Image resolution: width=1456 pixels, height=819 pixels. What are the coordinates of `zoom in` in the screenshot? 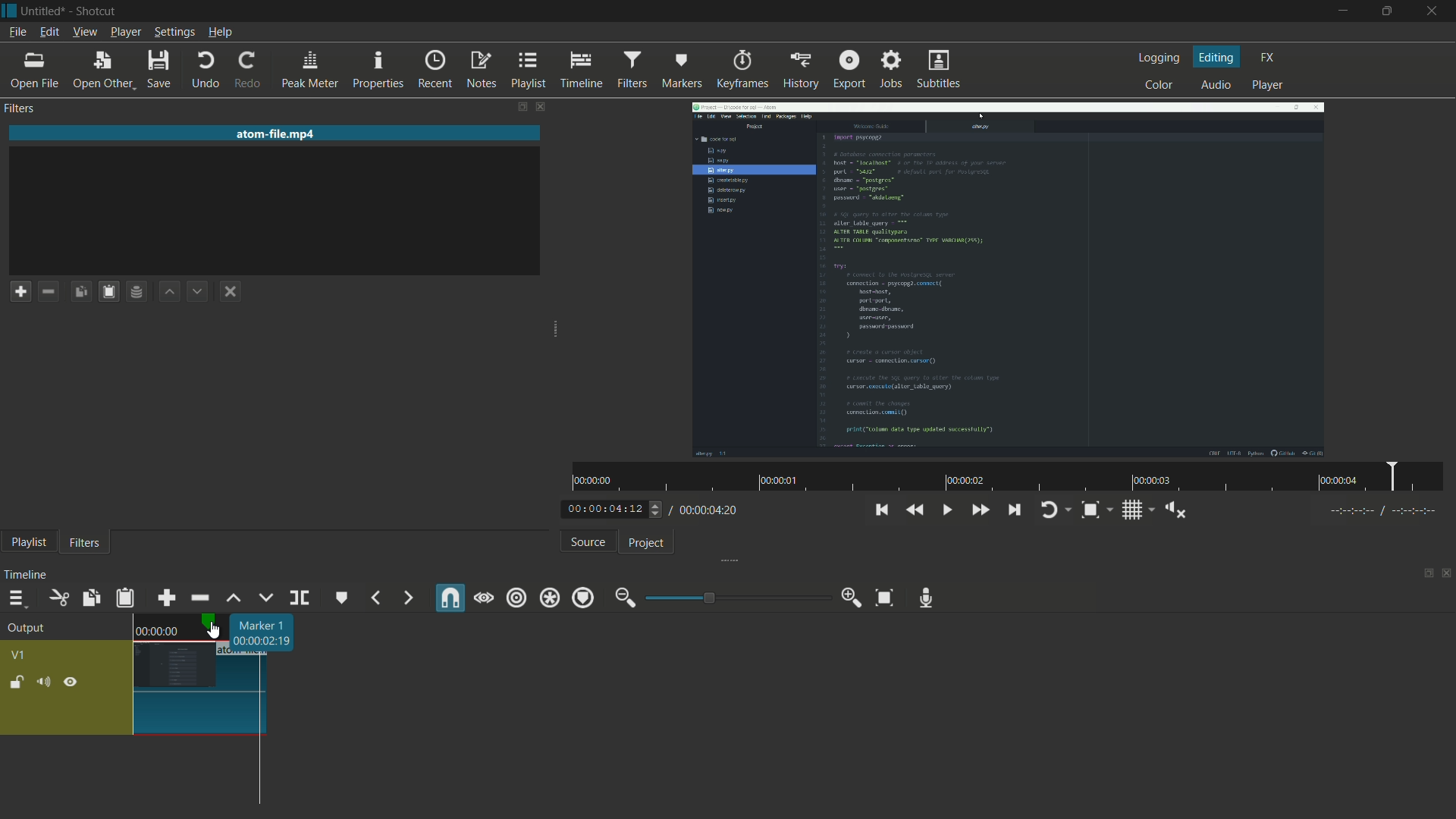 It's located at (852, 598).